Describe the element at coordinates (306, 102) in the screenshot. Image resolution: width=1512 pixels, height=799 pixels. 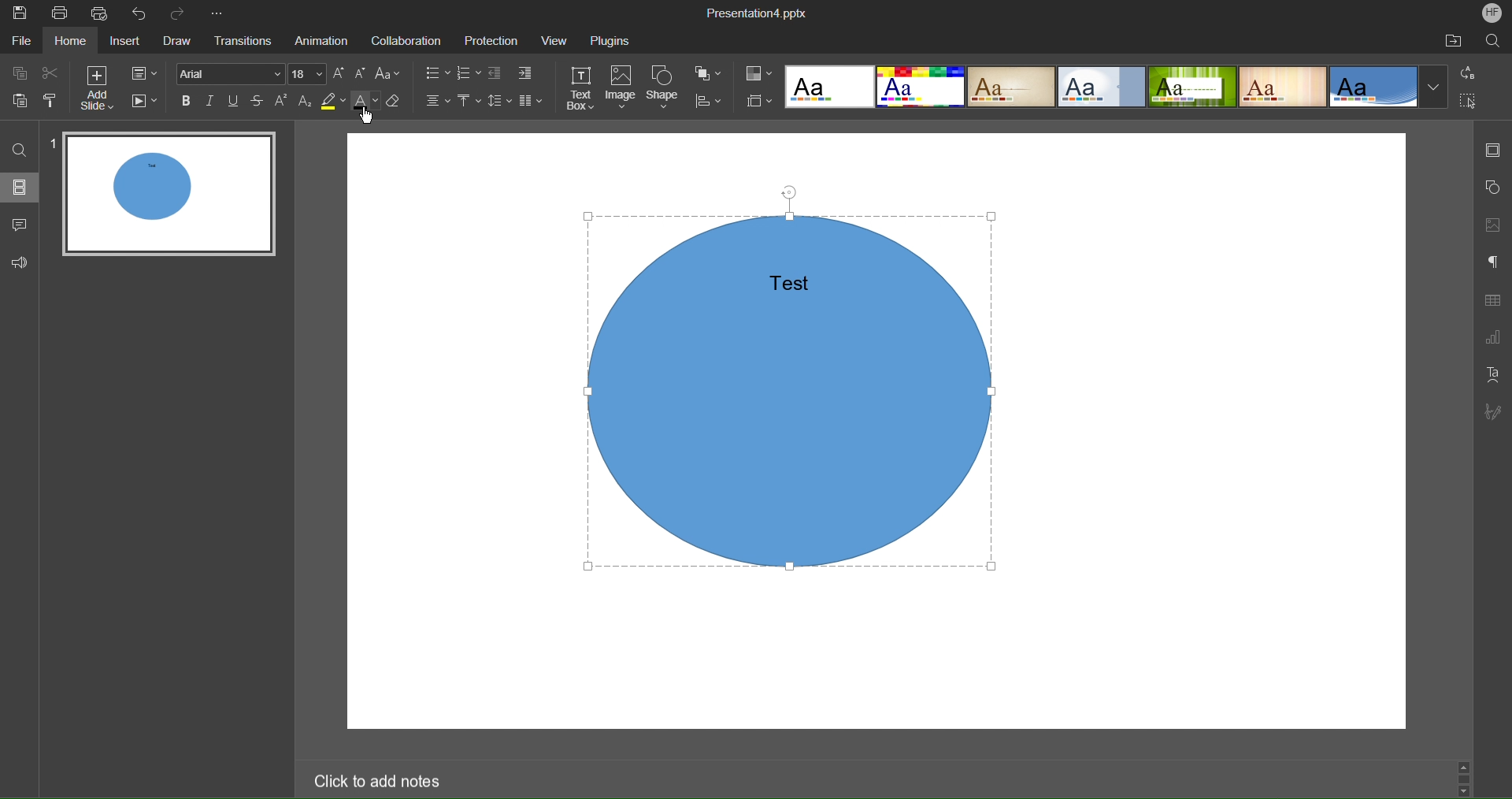
I see `Subscript` at that location.